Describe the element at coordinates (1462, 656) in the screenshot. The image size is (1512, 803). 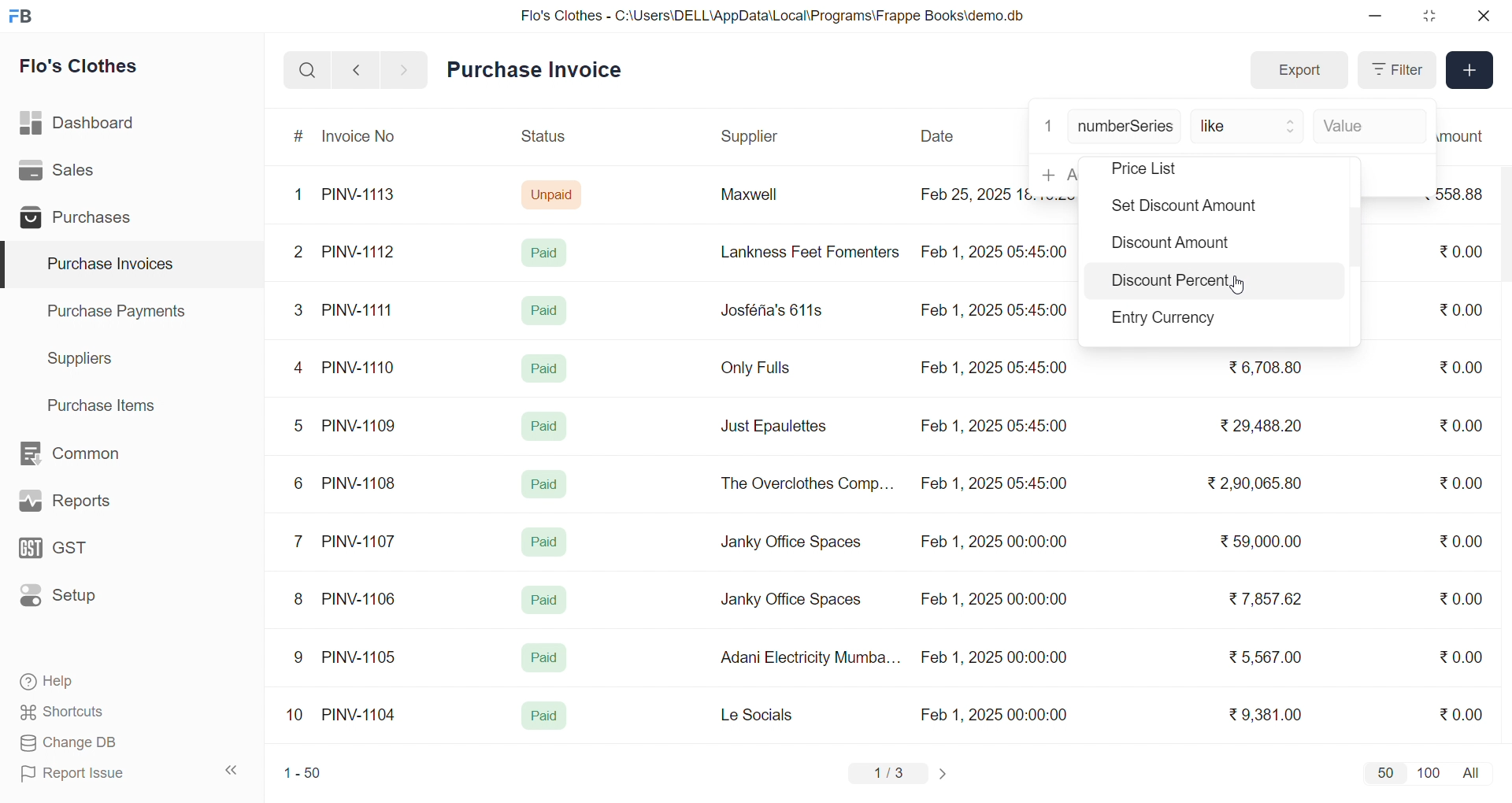
I see `₹0.00` at that location.